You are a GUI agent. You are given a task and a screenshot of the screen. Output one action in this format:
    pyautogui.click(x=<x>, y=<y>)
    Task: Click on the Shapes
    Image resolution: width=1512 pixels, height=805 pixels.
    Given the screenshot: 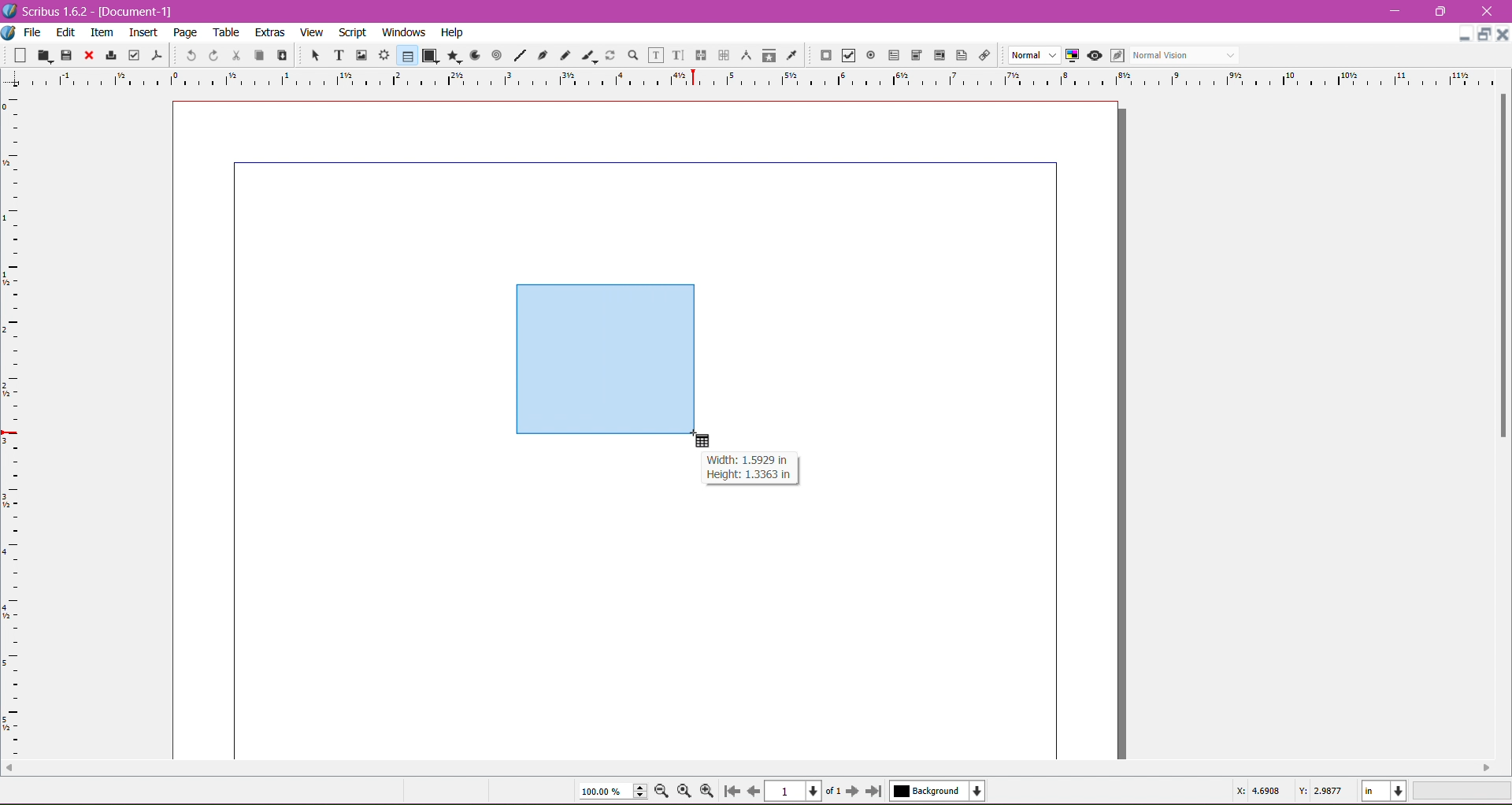 What is the action you would take?
    pyautogui.click(x=429, y=55)
    